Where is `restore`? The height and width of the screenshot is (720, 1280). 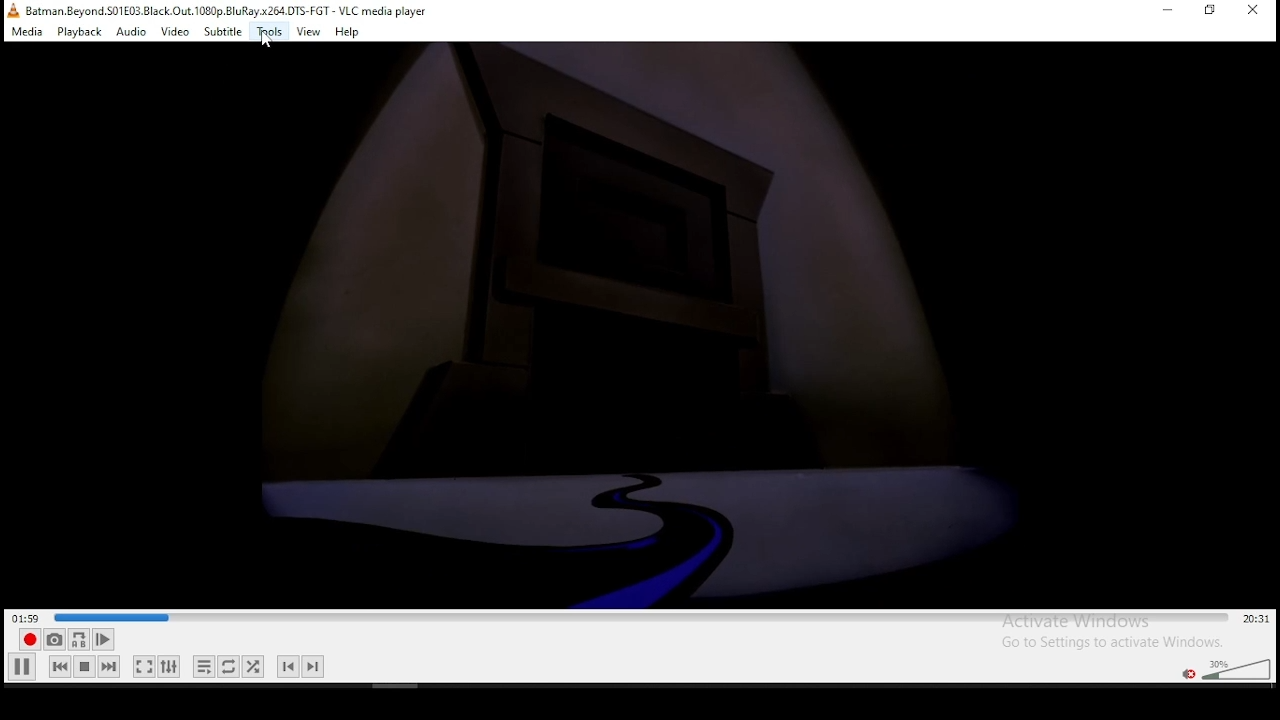 restore is located at coordinates (1211, 11).